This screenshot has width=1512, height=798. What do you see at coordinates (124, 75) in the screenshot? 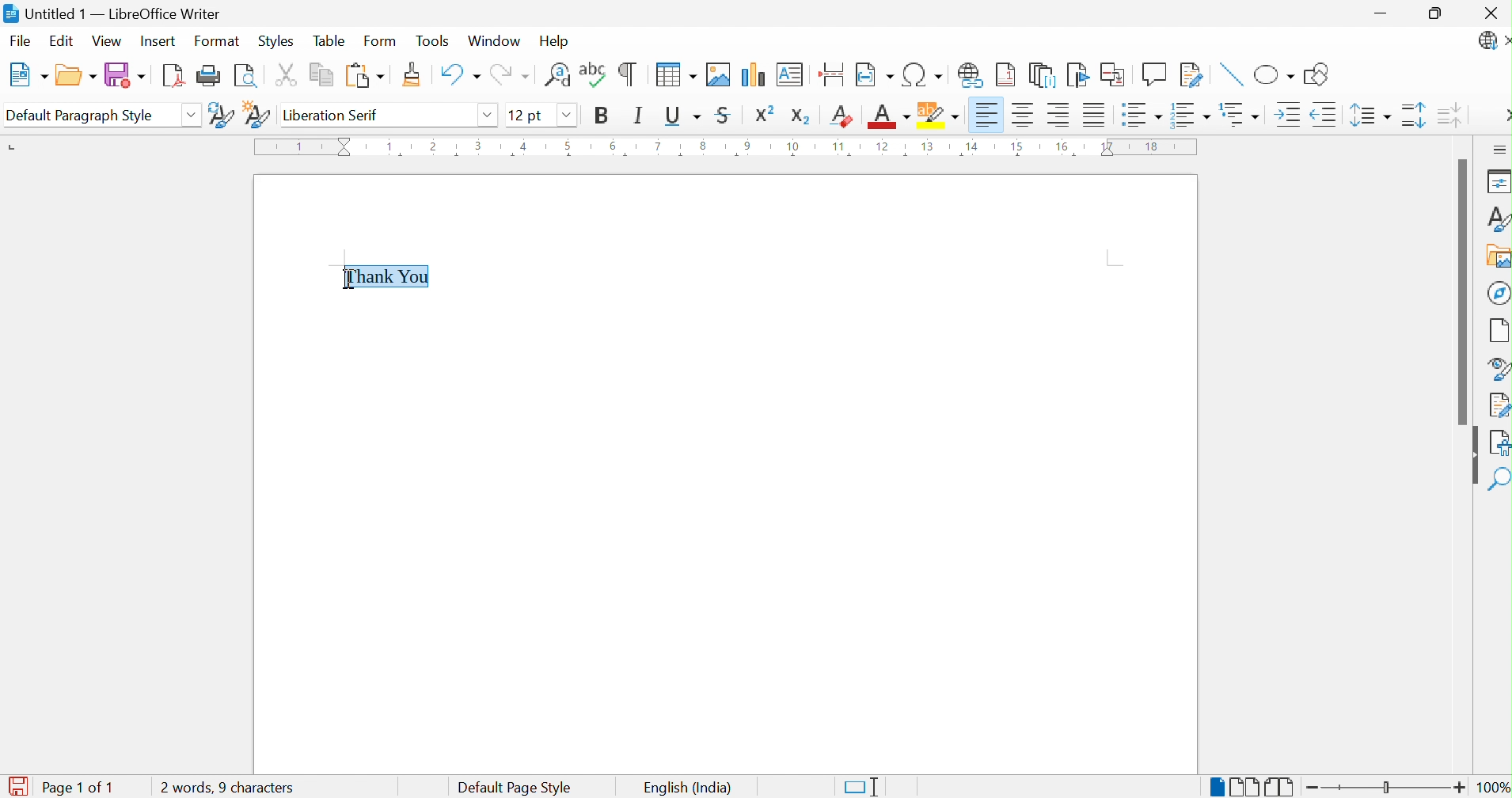
I see `Save` at bounding box center [124, 75].